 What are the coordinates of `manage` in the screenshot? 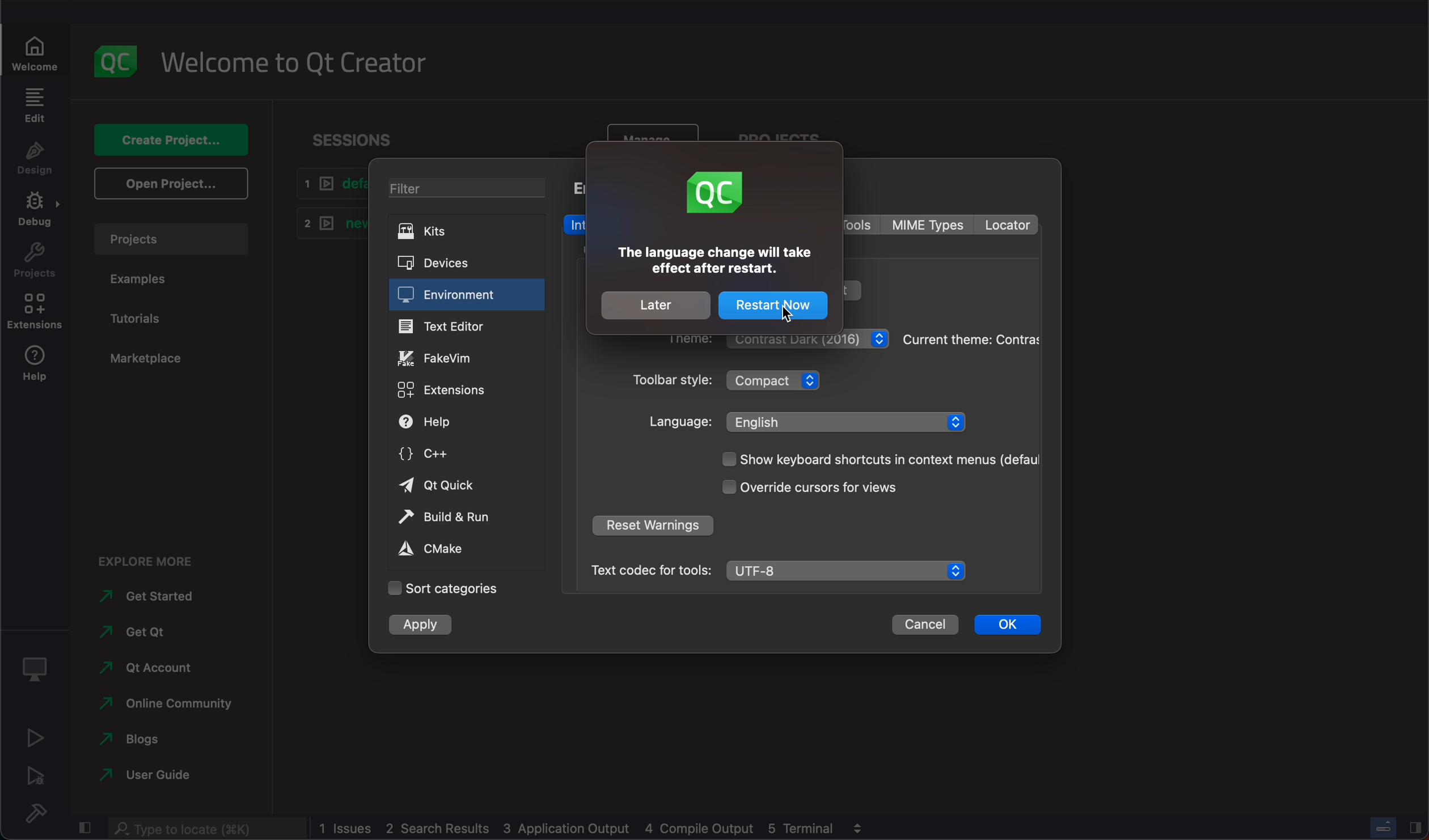 It's located at (650, 130).